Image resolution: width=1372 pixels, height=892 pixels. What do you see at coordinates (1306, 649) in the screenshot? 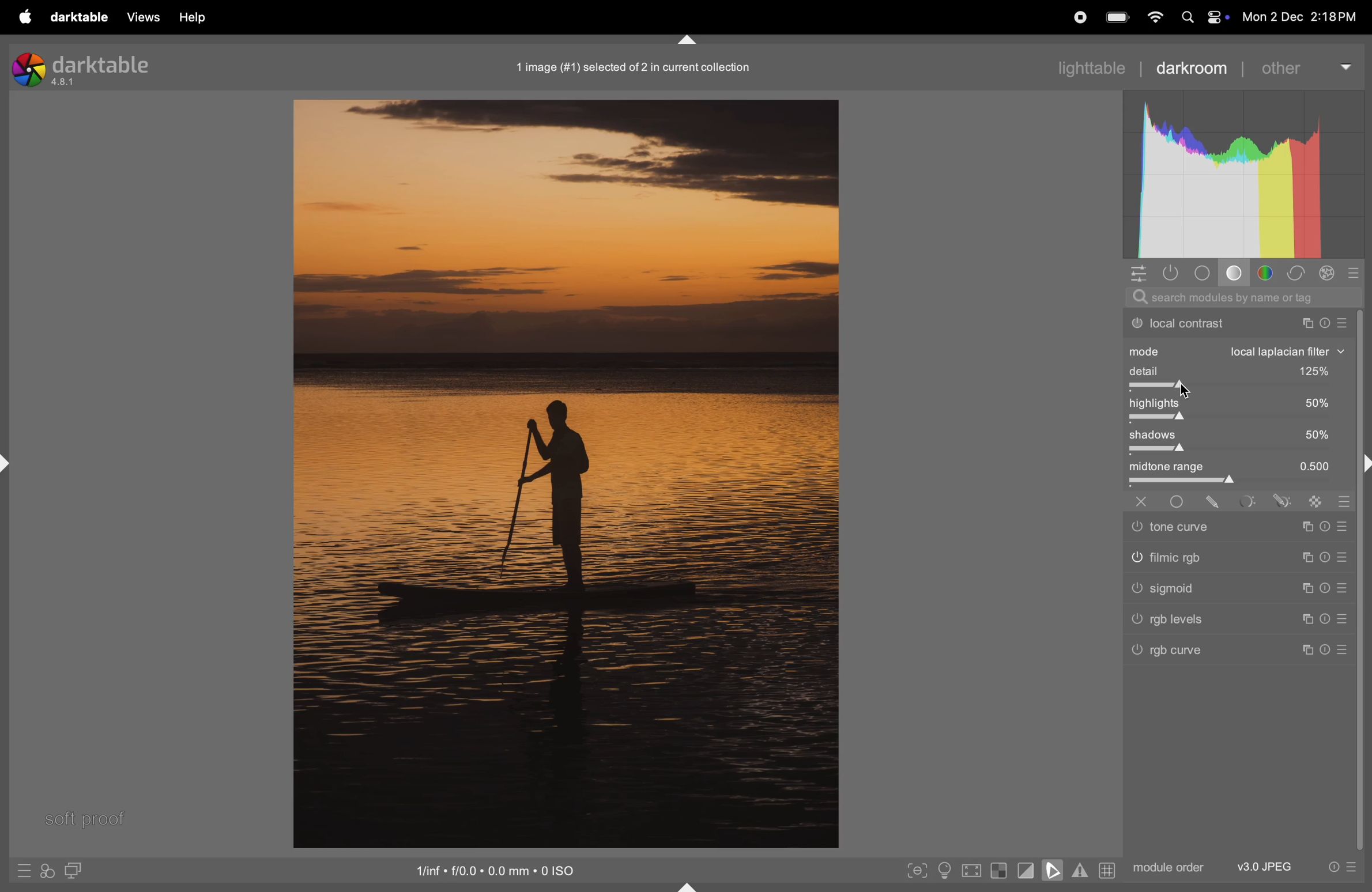
I see `sign ` at bounding box center [1306, 649].